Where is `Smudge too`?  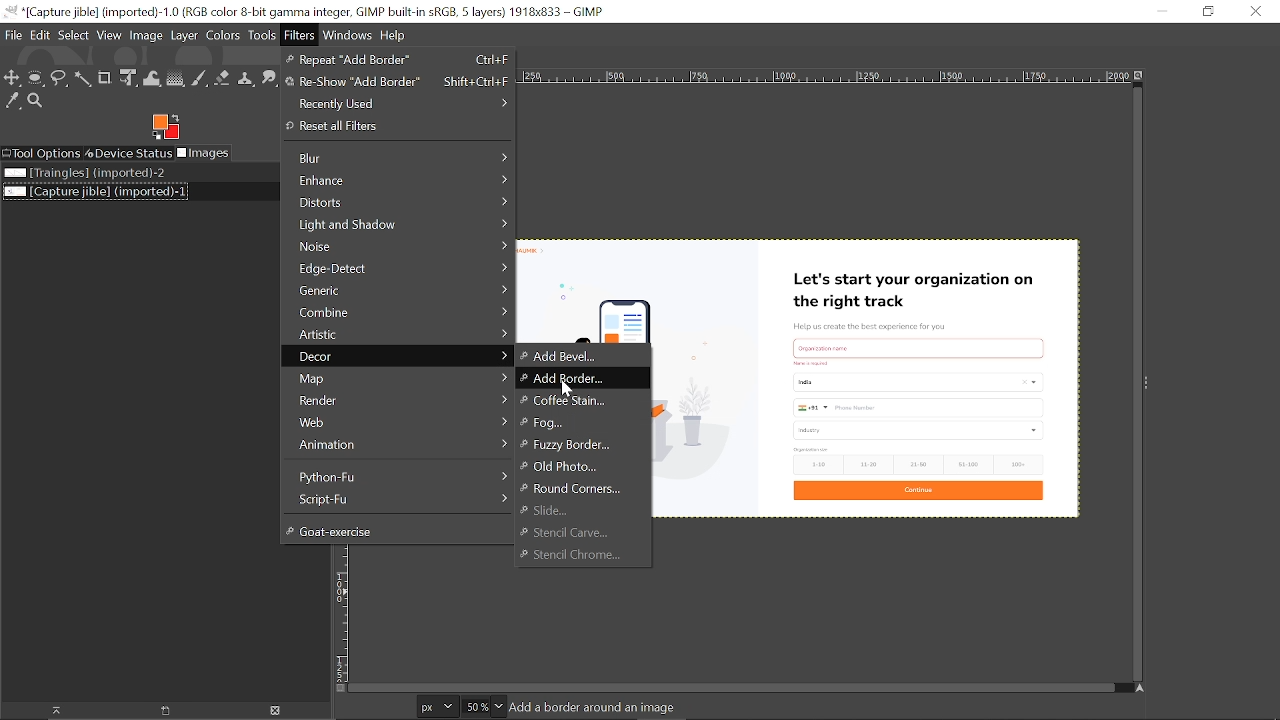 Smudge too is located at coordinates (270, 77).